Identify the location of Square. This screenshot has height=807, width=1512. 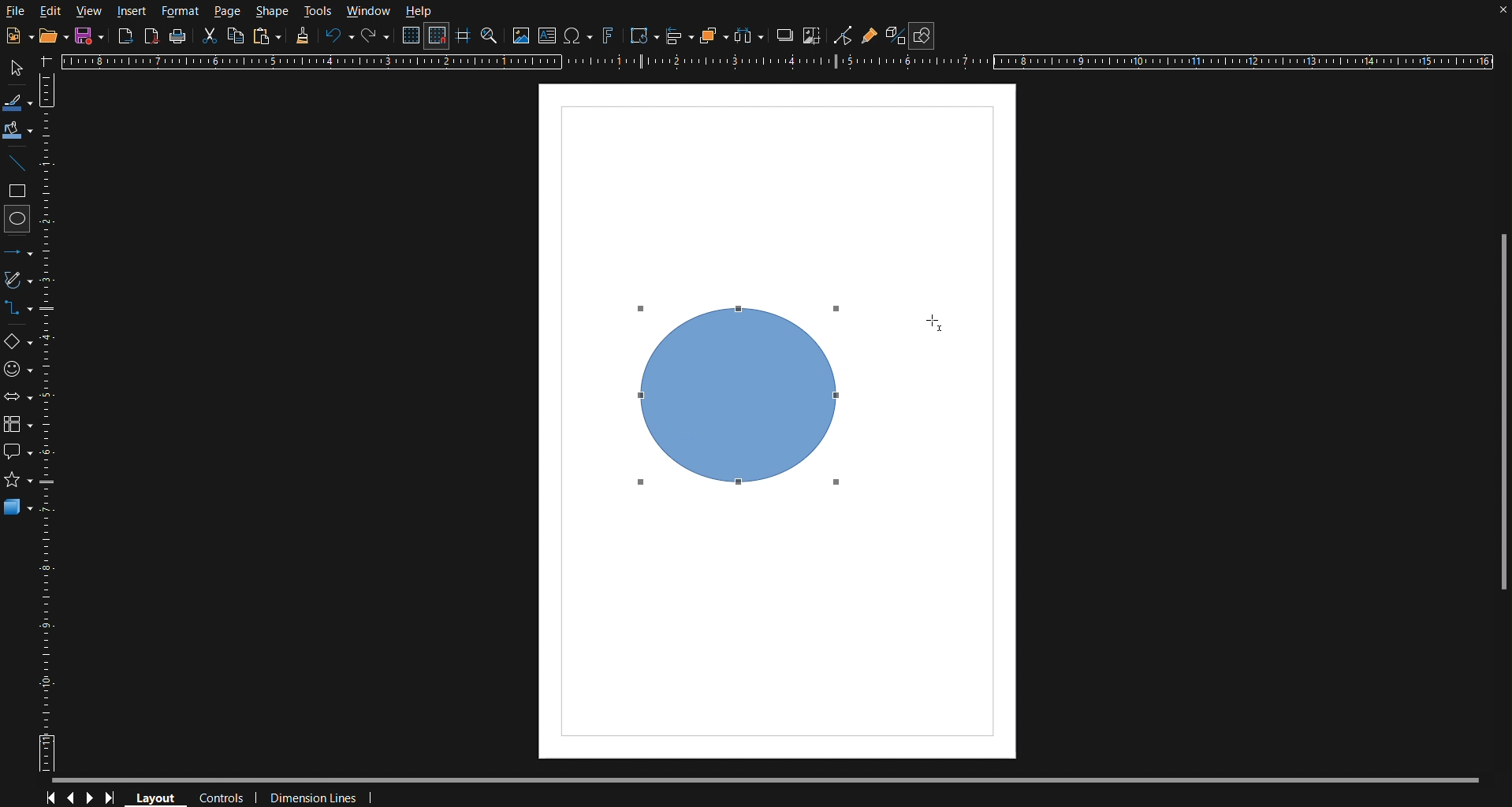
(19, 192).